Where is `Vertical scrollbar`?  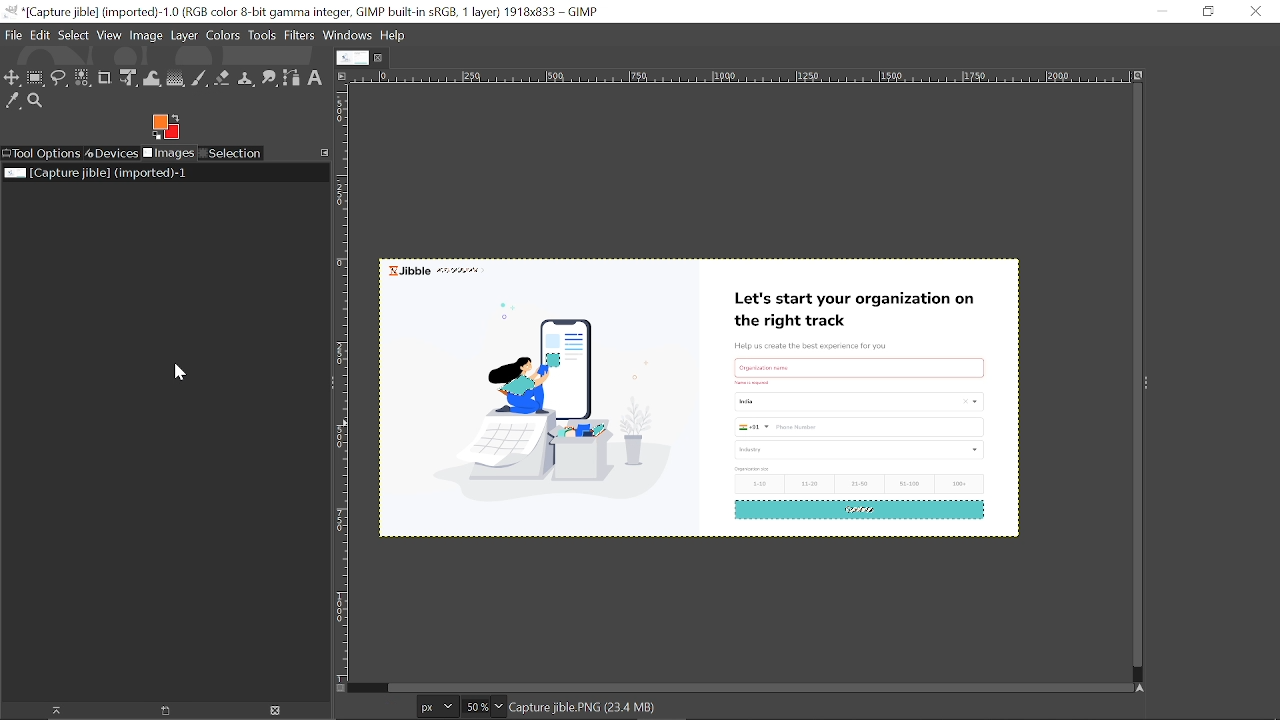
Vertical scrollbar is located at coordinates (1133, 377).